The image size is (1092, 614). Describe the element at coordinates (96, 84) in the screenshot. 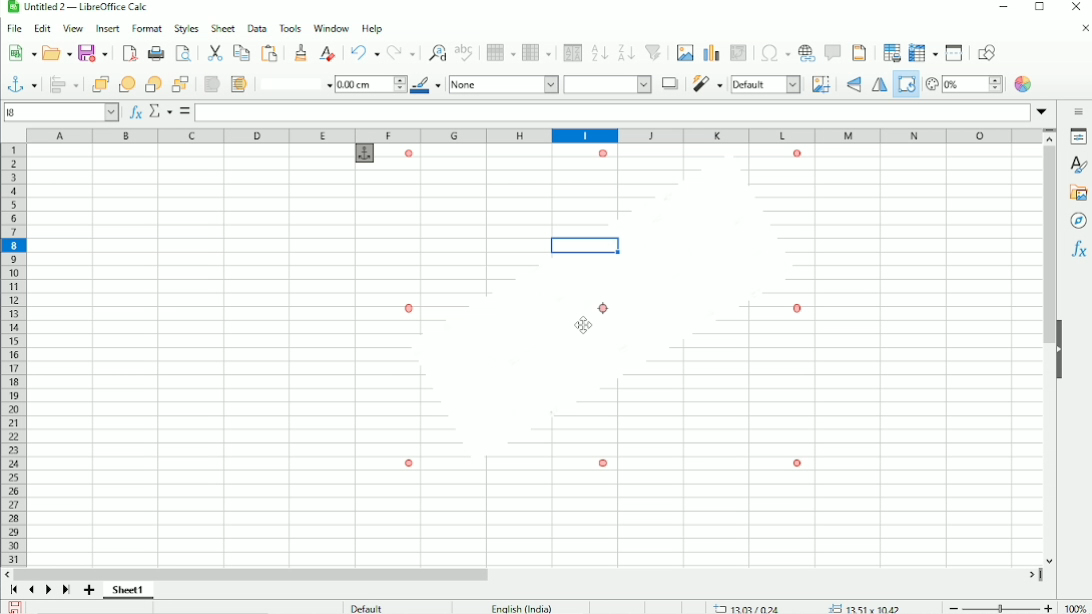

I see `Bring to front` at that location.